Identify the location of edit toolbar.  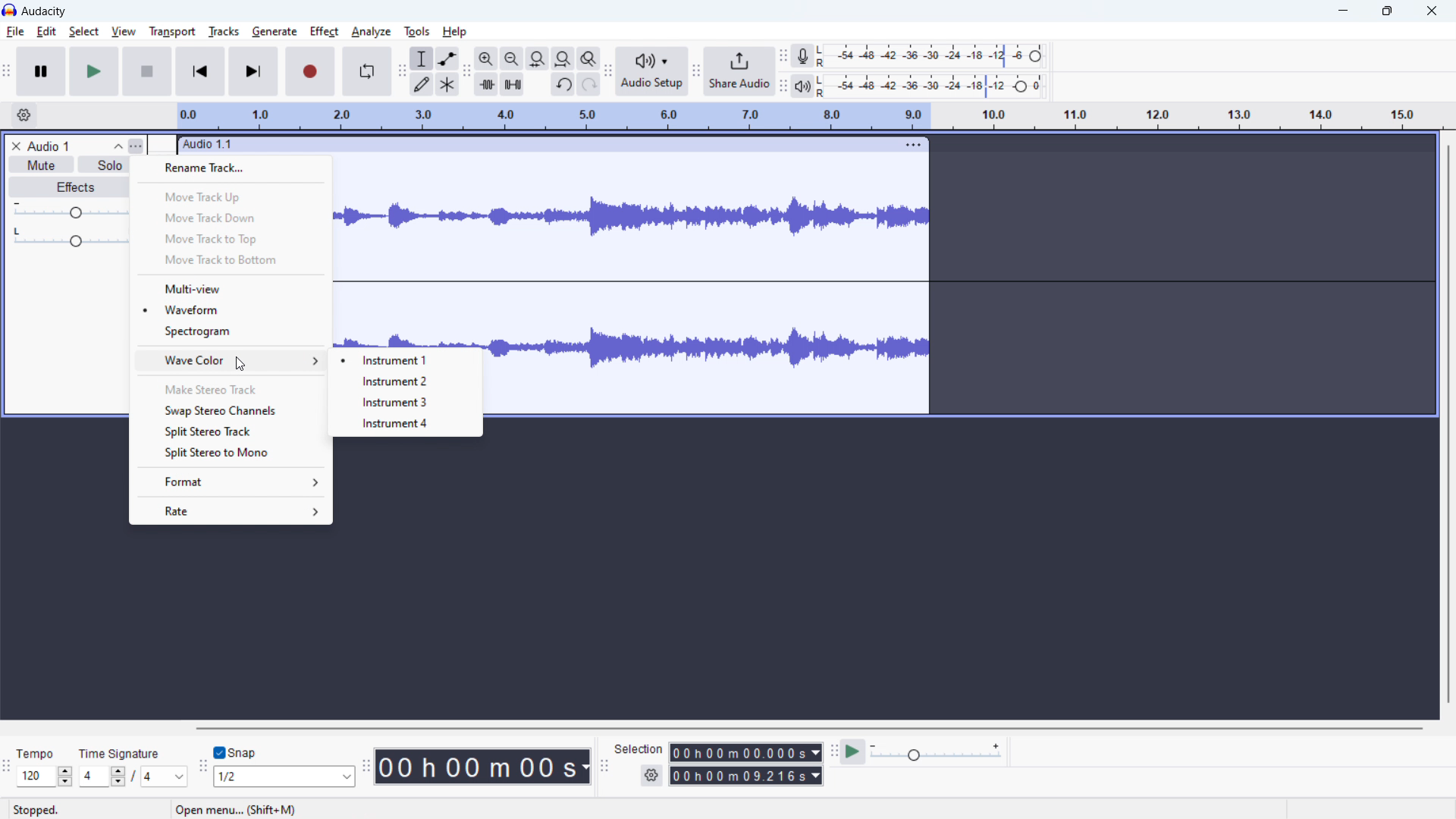
(467, 72).